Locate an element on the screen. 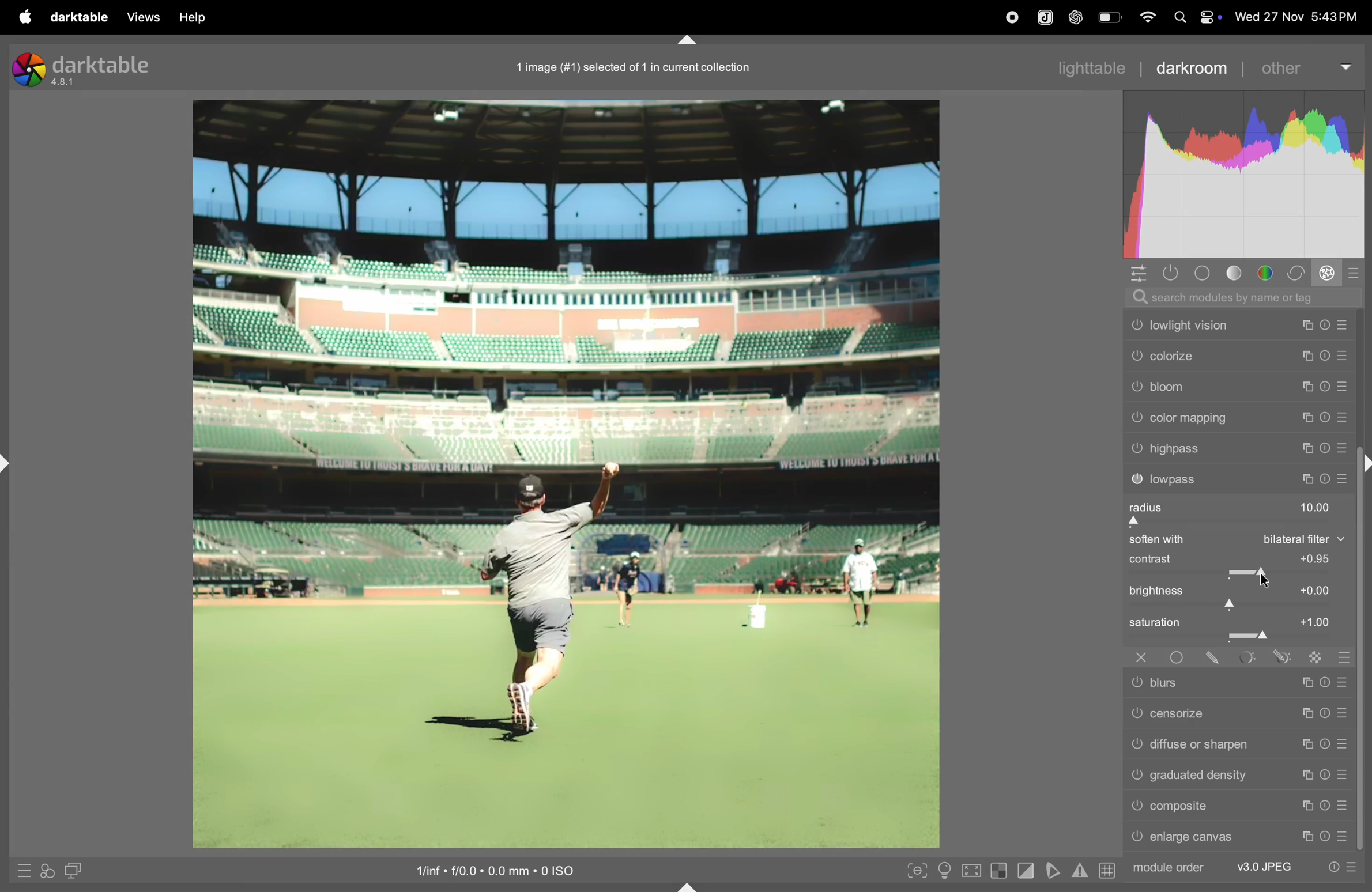  display second dark room image window is located at coordinates (79, 871).